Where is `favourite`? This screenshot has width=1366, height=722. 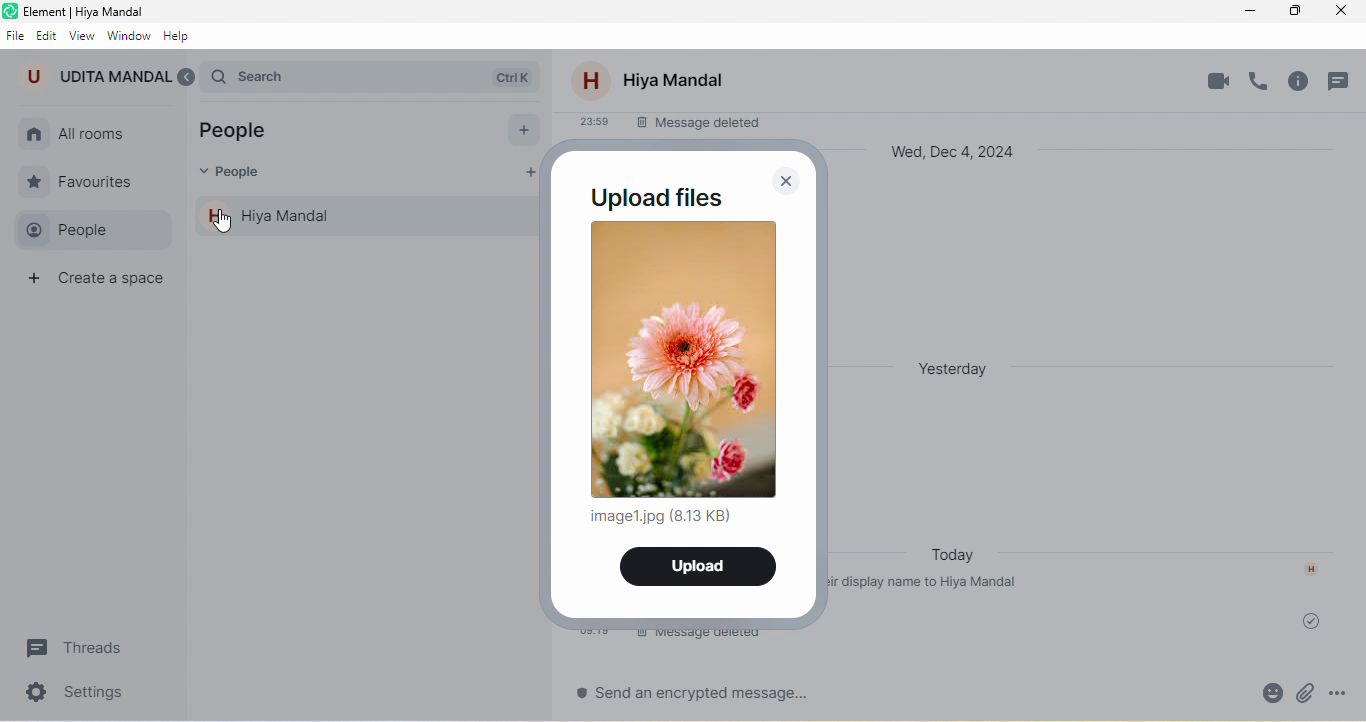 favourite is located at coordinates (86, 179).